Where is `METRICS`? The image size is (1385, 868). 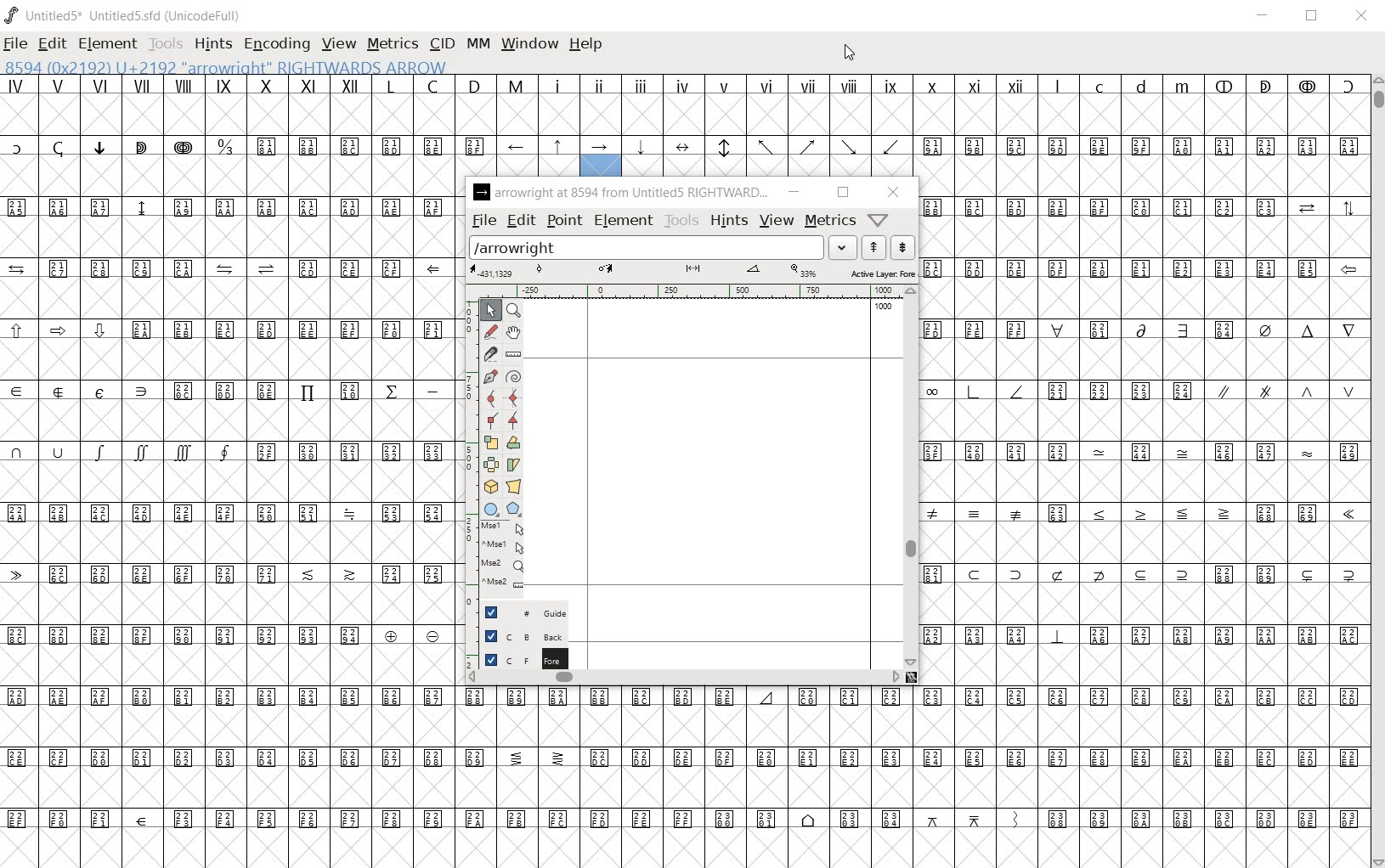 METRICS is located at coordinates (392, 43).